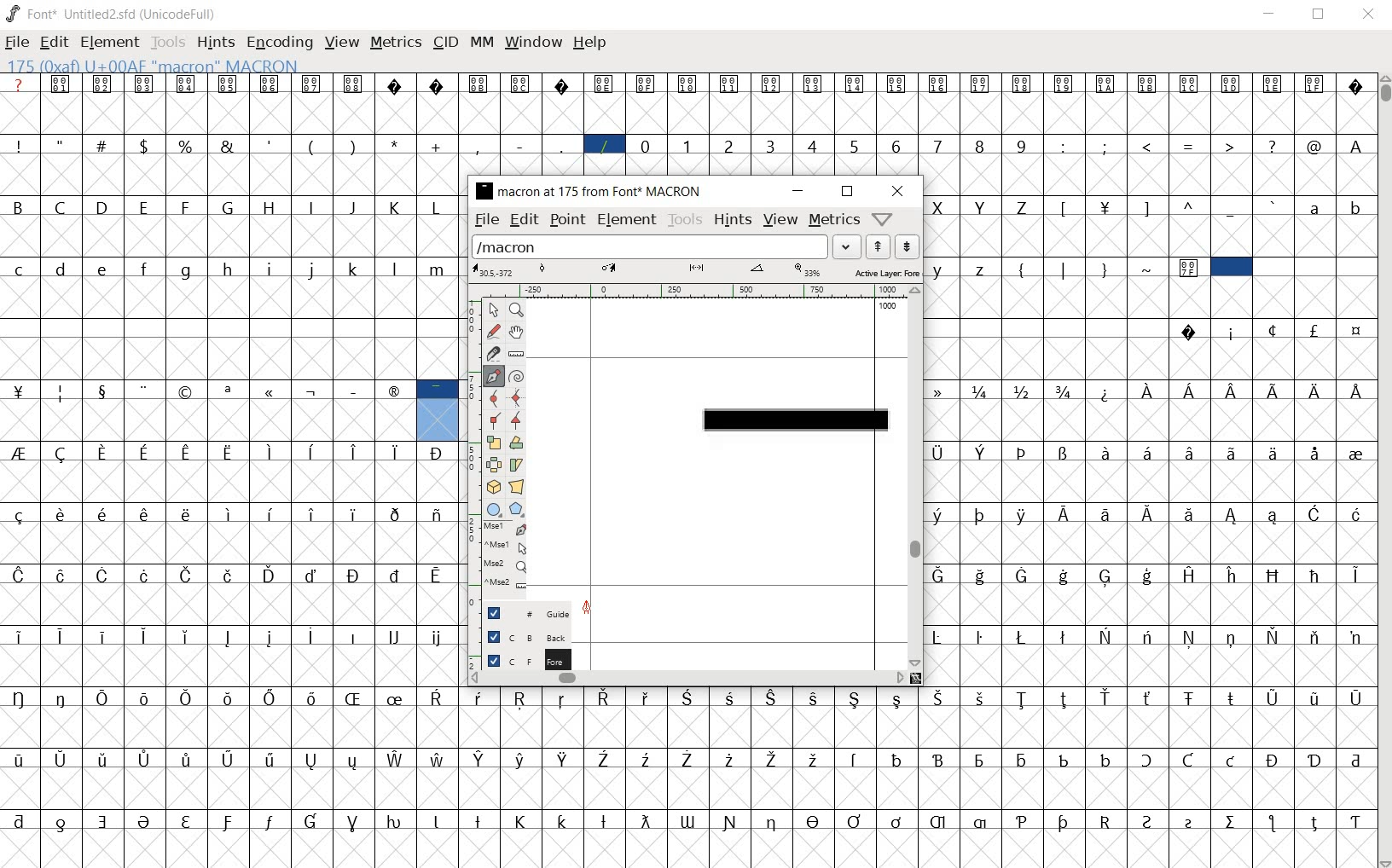  What do you see at coordinates (1105, 636) in the screenshot?
I see `Symbol` at bounding box center [1105, 636].